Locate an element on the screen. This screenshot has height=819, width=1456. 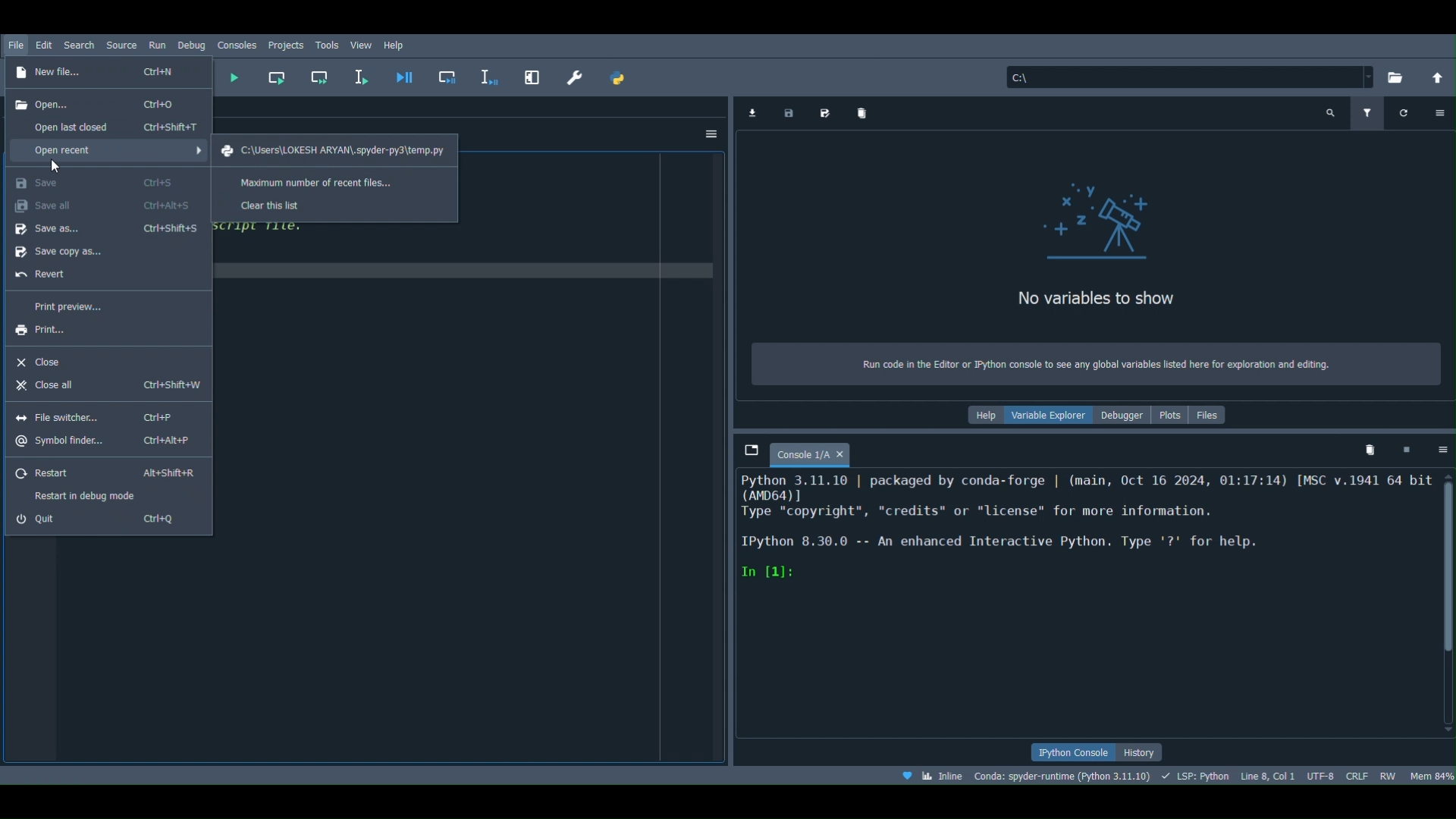
Save copy as is located at coordinates (95, 249).